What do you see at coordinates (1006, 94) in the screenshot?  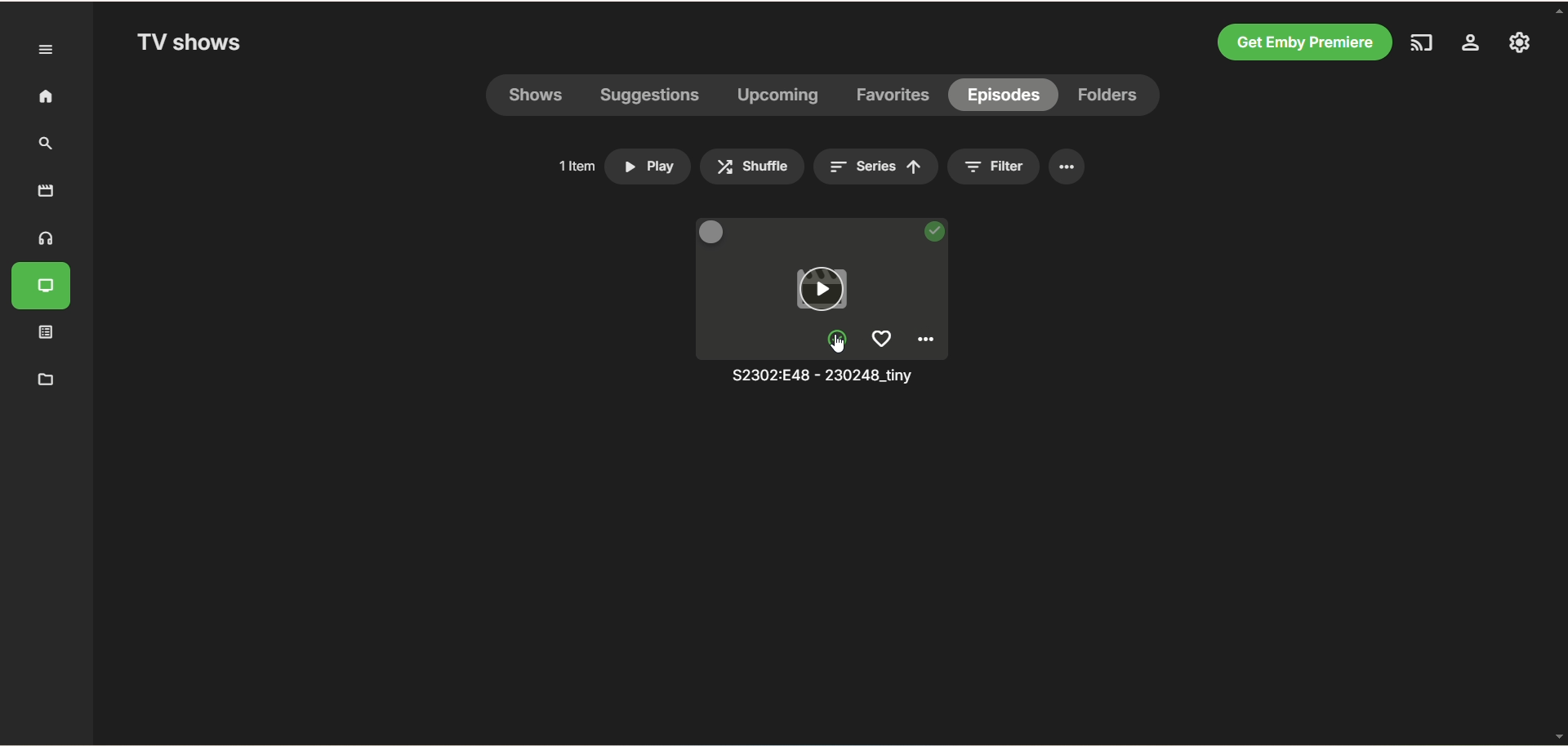 I see `episodes` at bounding box center [1006, 94].